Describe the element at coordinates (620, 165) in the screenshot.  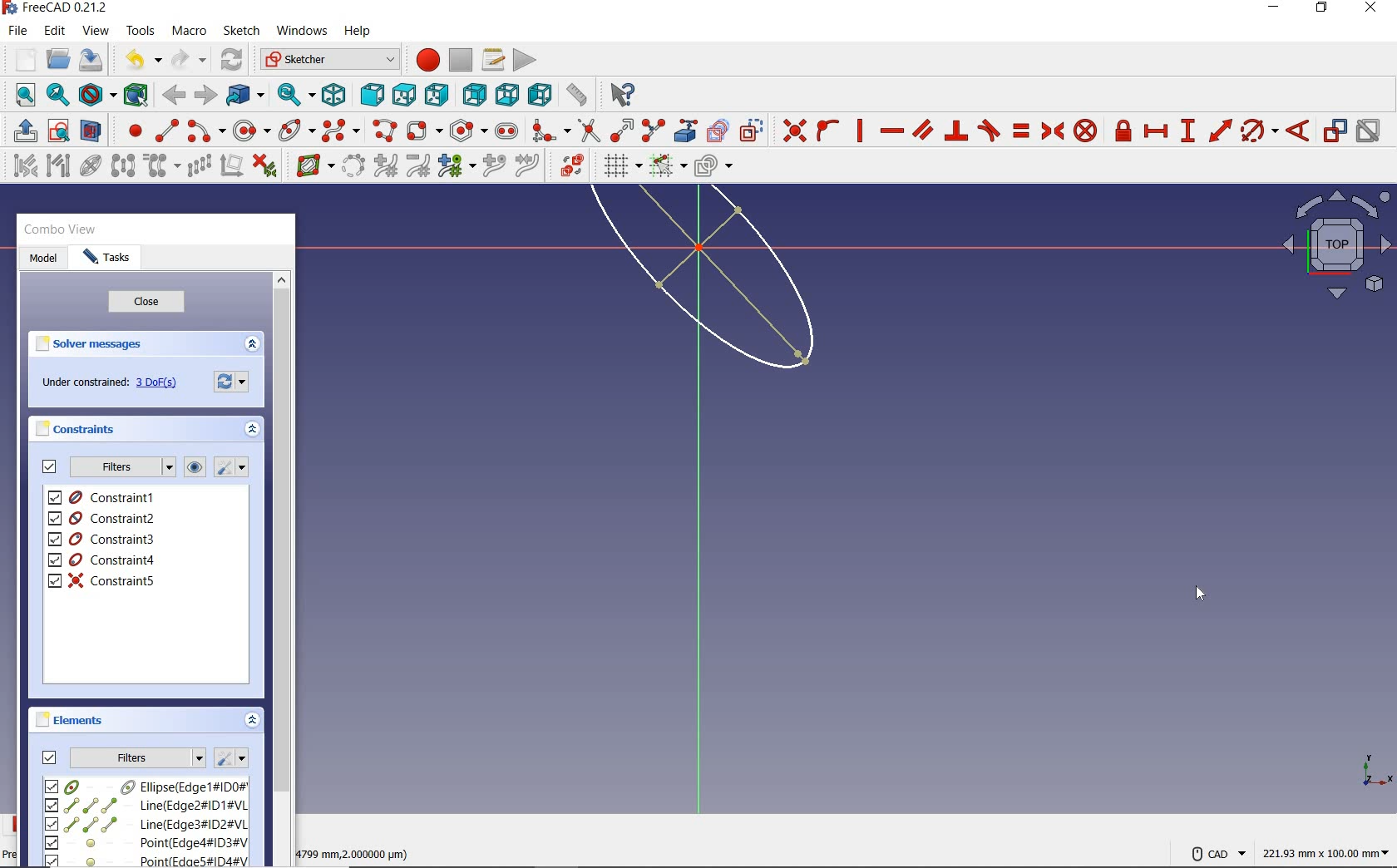
I see `toggle grid` at that location.